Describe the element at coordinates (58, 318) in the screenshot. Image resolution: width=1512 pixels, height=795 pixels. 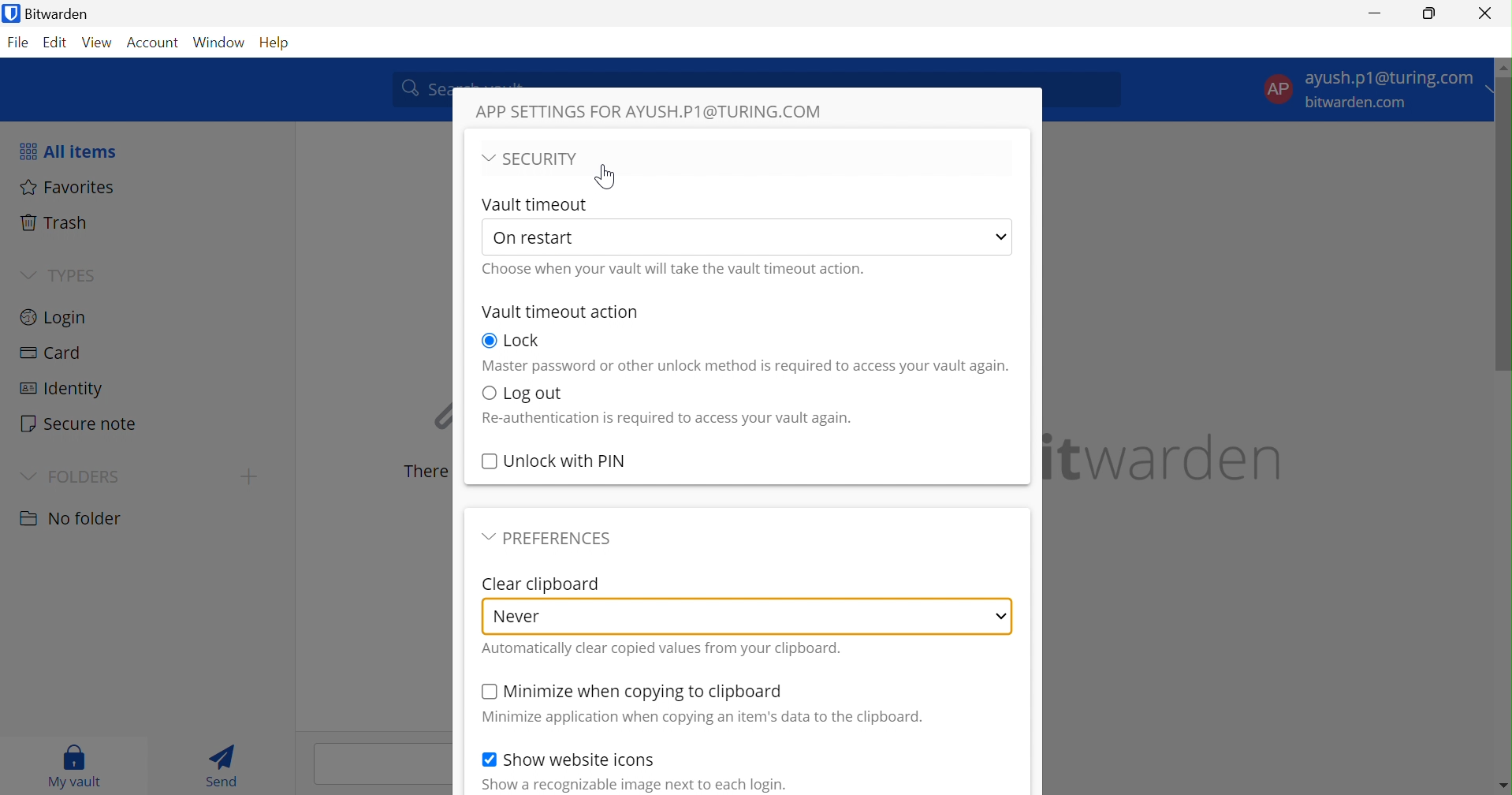
I see `Login` at that location.